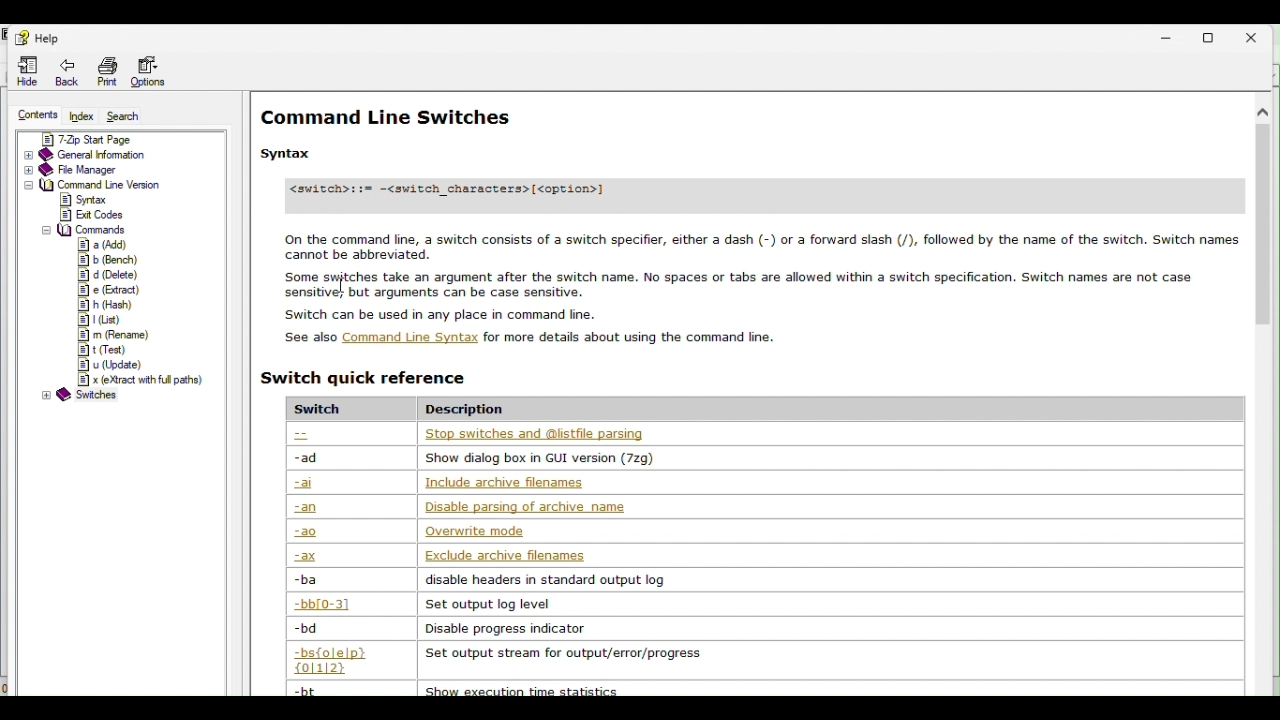 Image resolution: width=1280 pixels, height=720 pixels. What do you see at coordinates (509, 480) in the screenshot?
I see `include archive filenames` at bounding box center [509, 480].